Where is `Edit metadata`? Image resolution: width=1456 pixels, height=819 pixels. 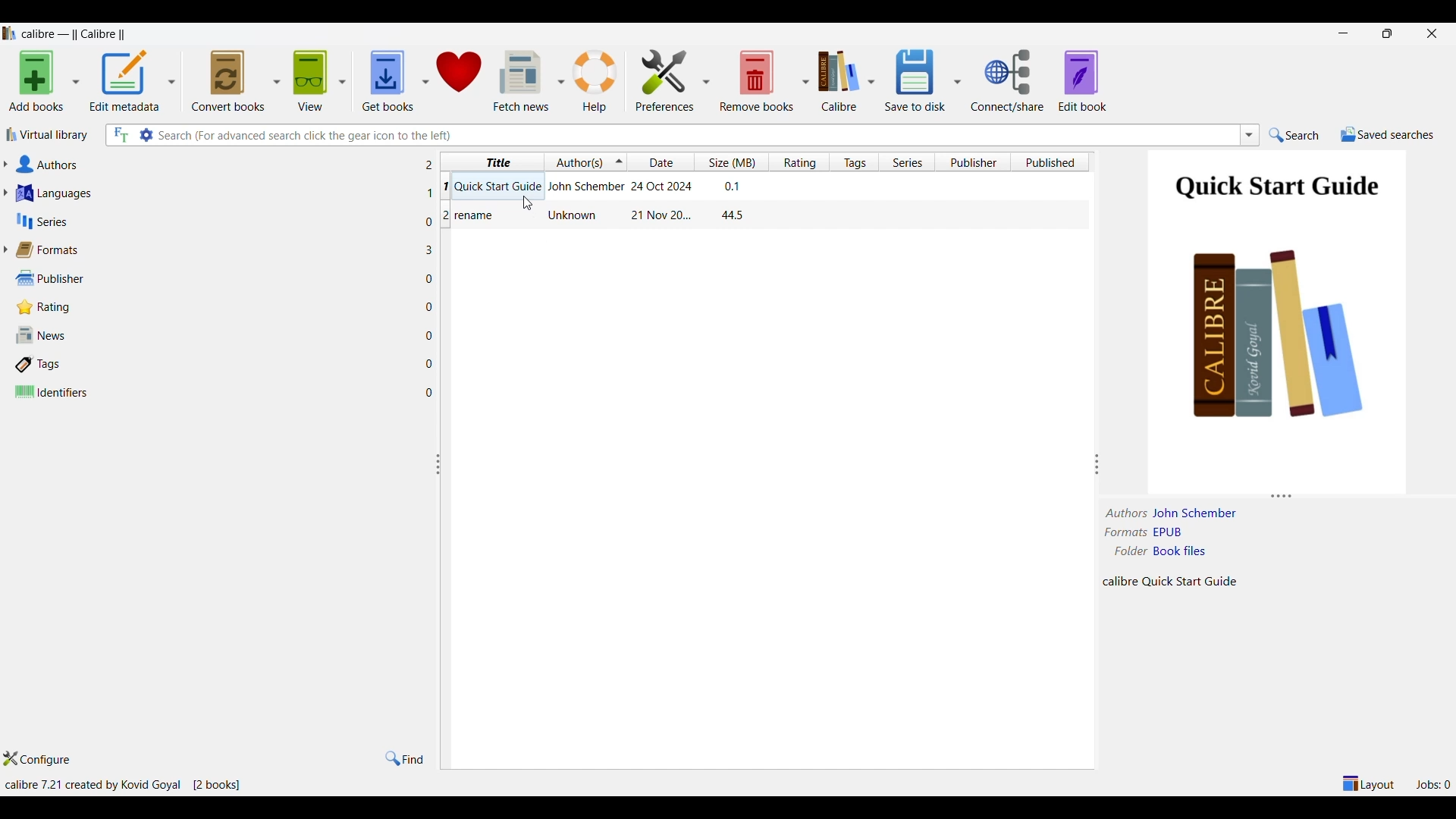 Edit metadata is located at coordinates (125, 82).